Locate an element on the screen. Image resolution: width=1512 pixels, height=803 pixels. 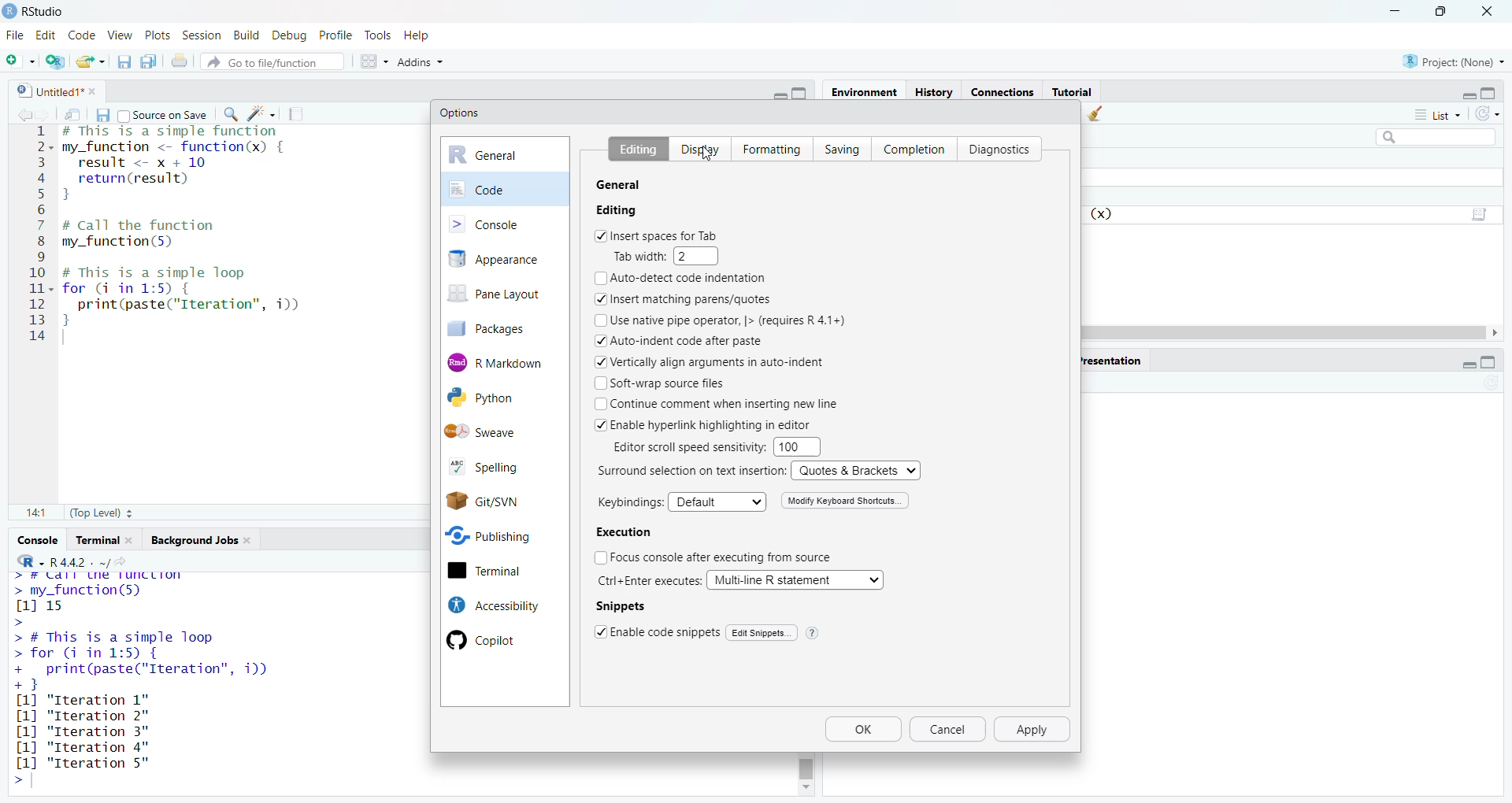
prompt cursor is located at coordinates (16, 781).